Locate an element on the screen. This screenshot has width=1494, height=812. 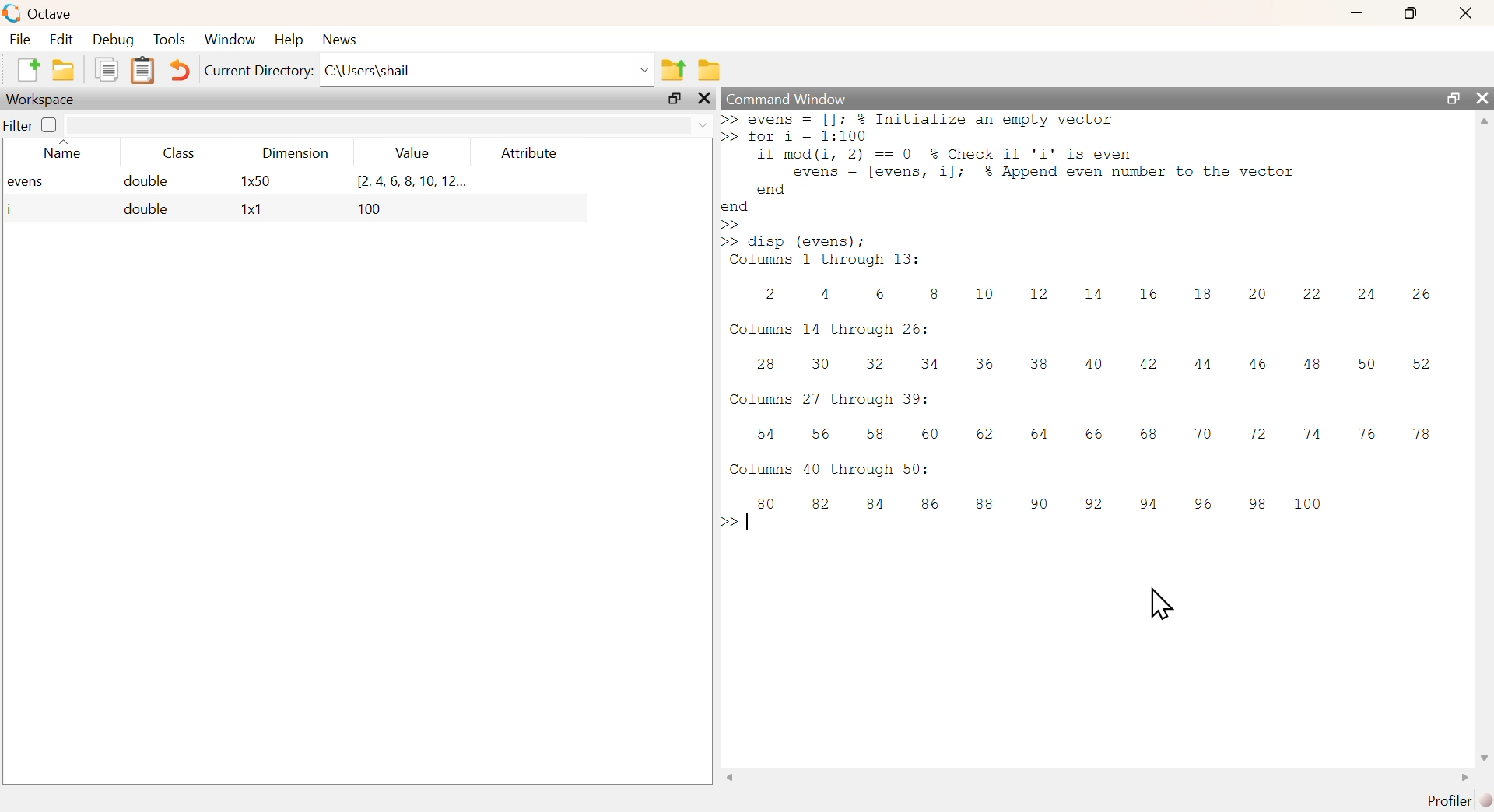
paste is located at coordinates (142, 71).